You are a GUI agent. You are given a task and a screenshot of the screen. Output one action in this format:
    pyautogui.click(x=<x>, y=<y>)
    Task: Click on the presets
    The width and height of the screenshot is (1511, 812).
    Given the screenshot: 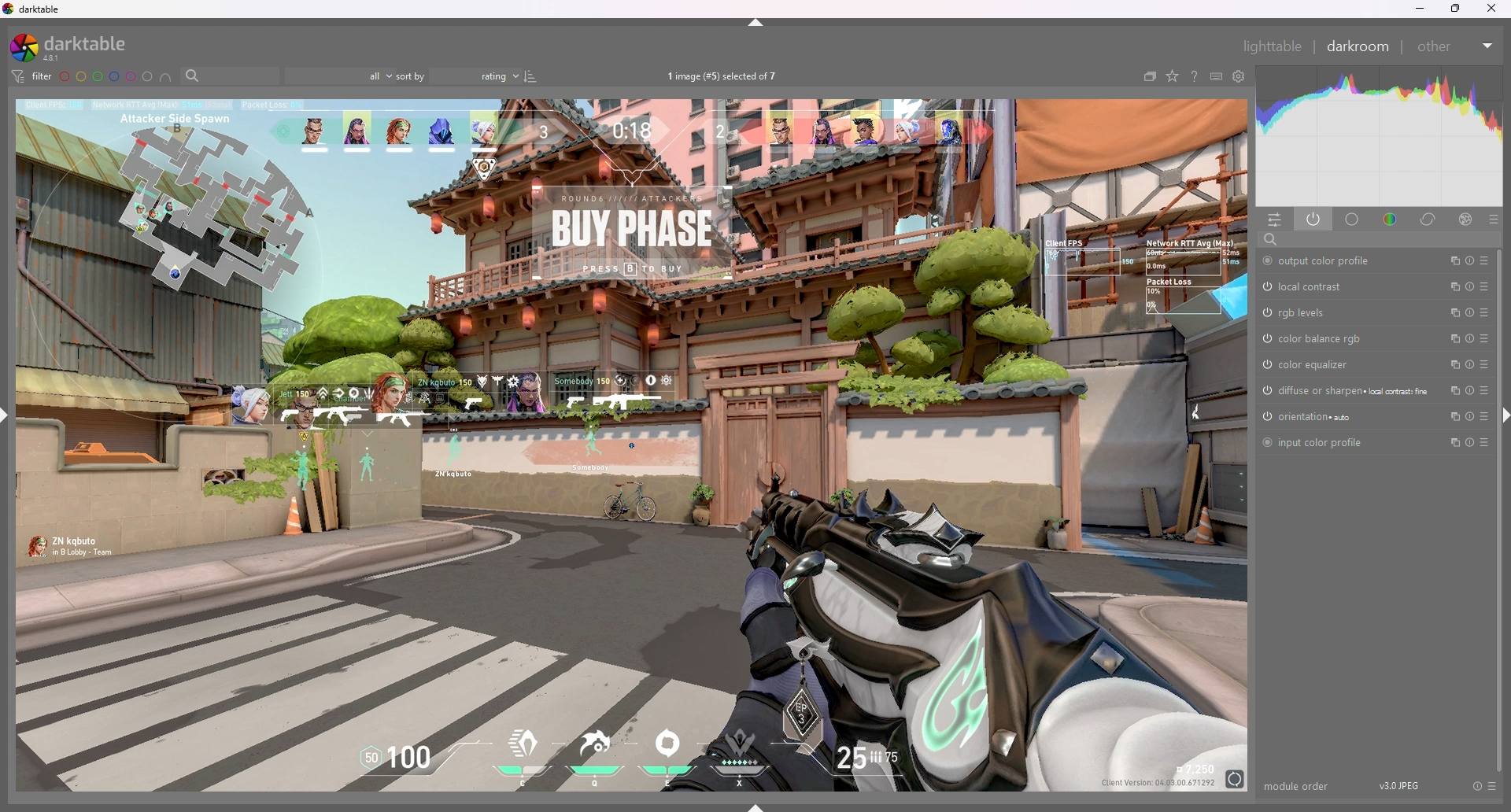 What is the action you would take?
    pyautogui.click(x=1485, y=312)
    